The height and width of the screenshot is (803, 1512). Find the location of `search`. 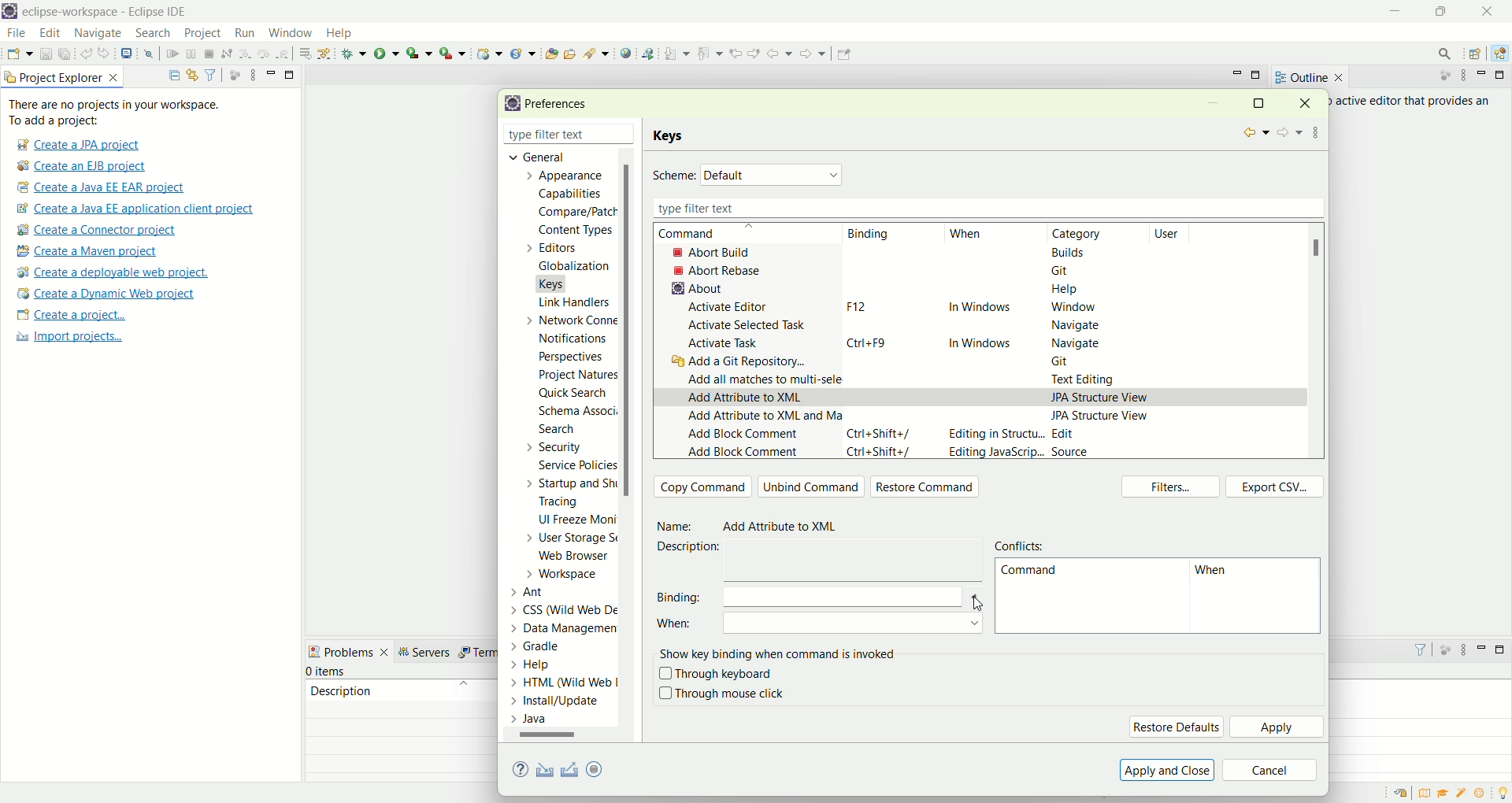

search is located at coordinates (597, 53).